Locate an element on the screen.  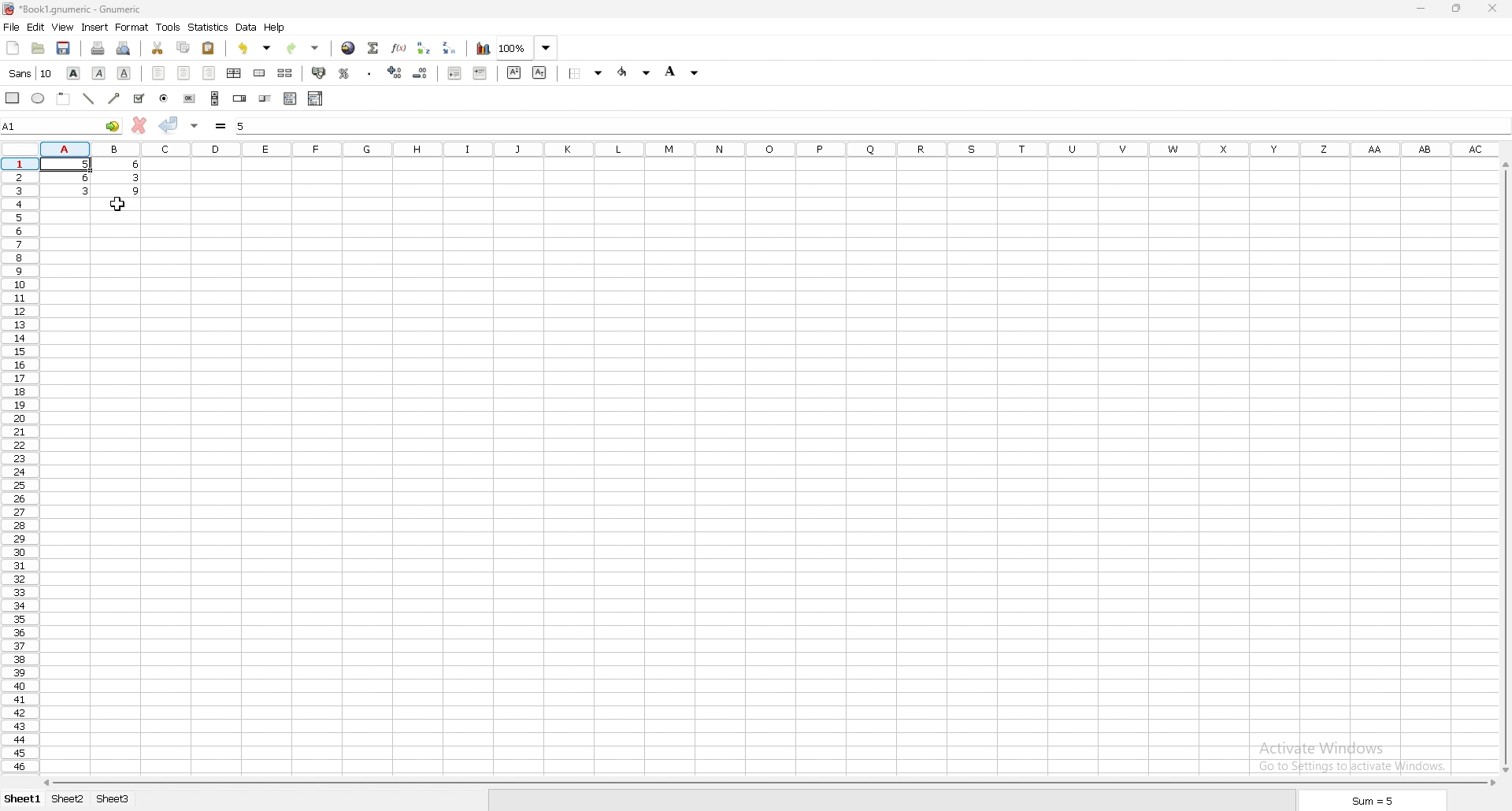
center horizontally is located at coordinates (233, 72).